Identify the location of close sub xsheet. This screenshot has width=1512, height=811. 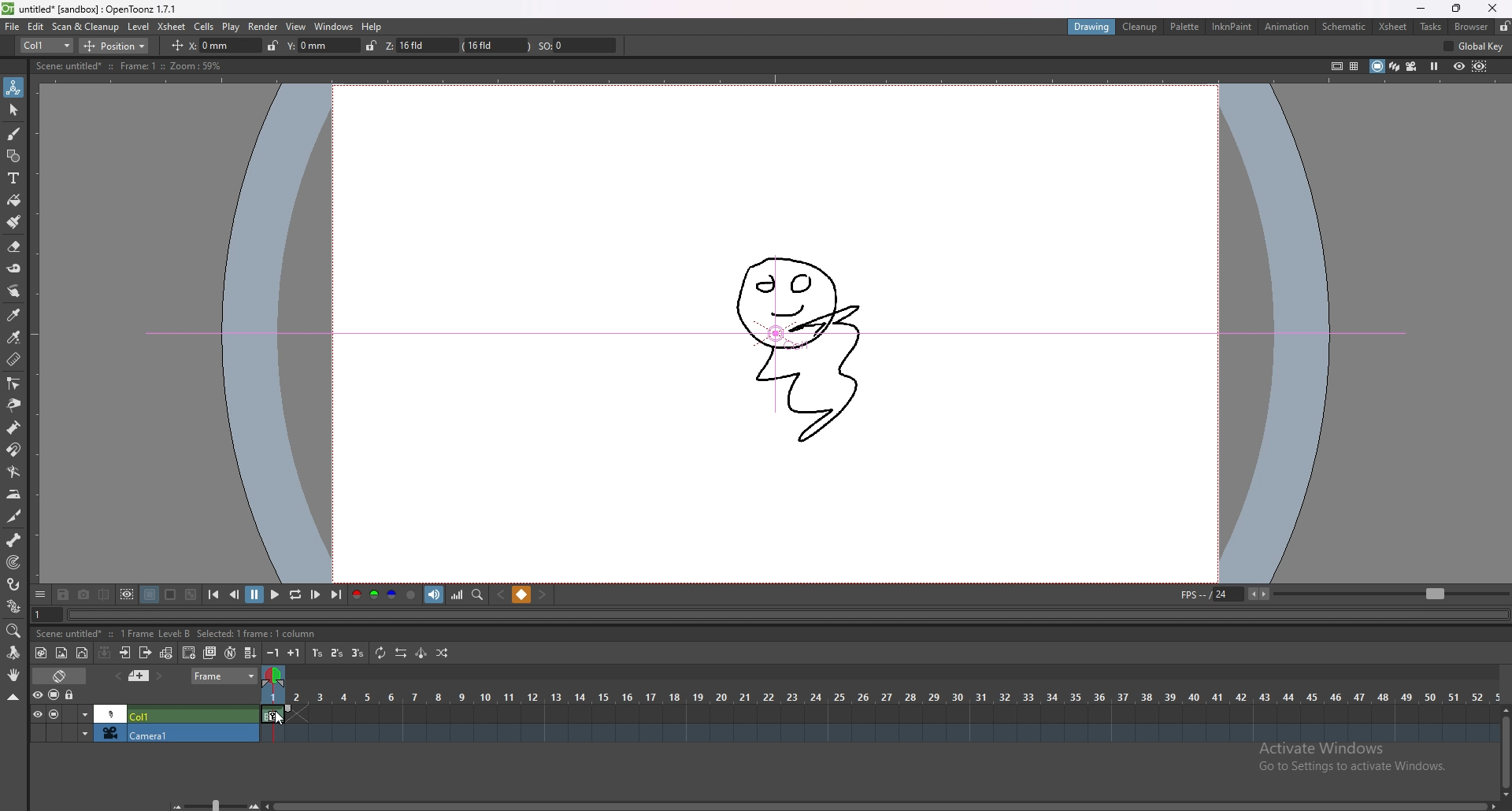
(145, 653).